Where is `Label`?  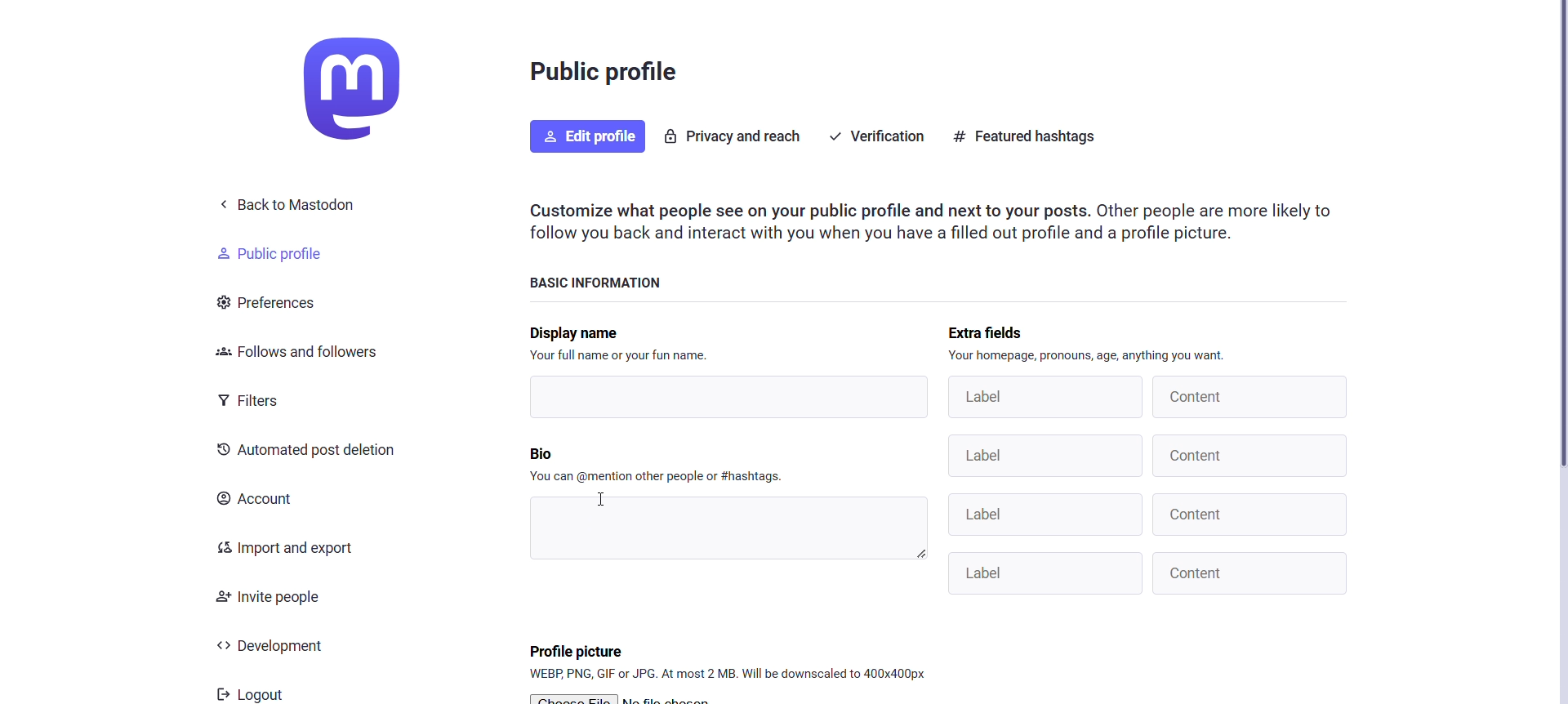 Label is located at coordinates (1045, 456).